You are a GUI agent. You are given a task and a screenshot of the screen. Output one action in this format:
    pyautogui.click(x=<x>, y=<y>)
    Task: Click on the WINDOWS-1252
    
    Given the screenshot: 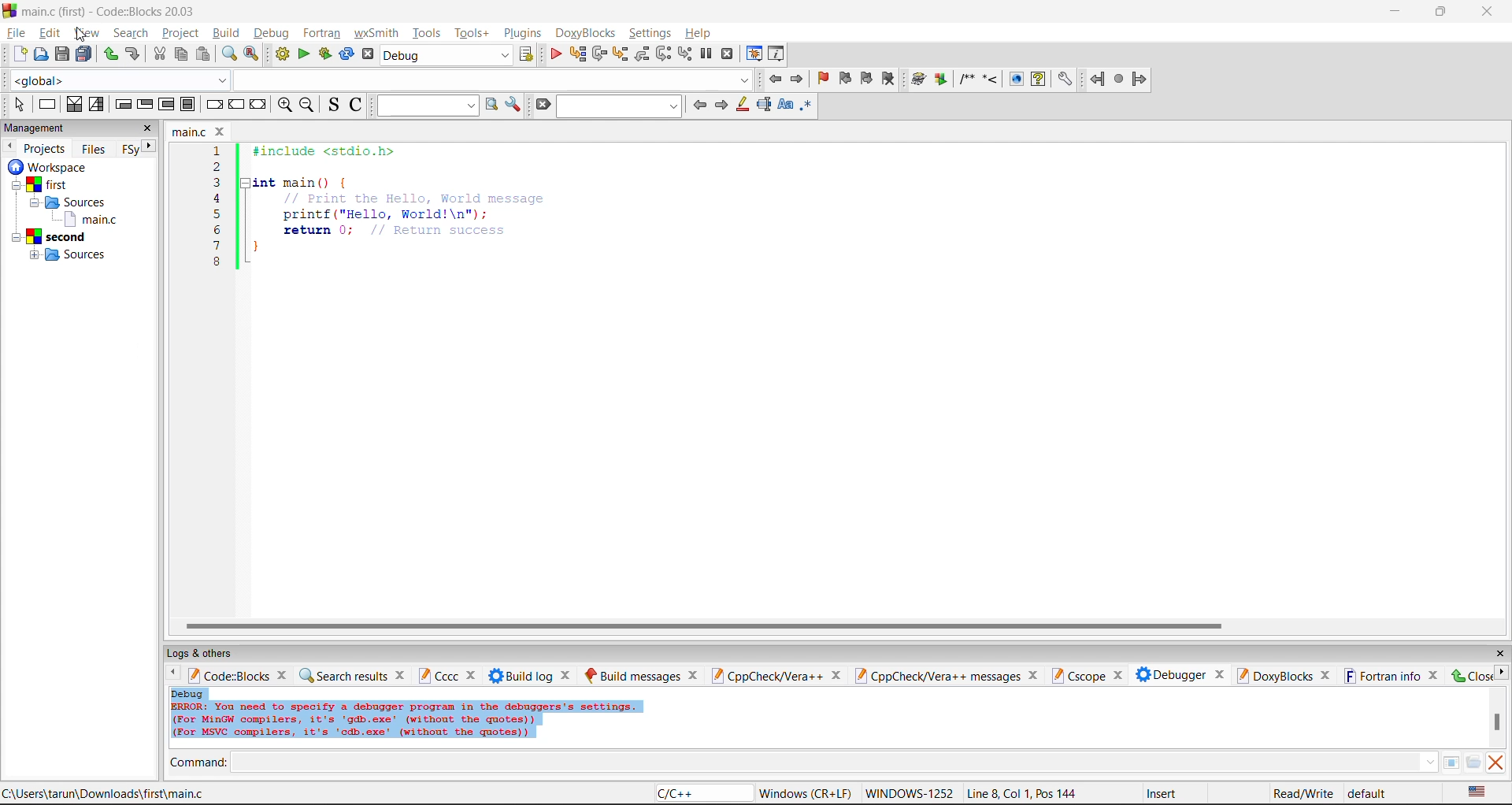 What is the action you would take?
    pyautogui.click(x=910, y=792)
    